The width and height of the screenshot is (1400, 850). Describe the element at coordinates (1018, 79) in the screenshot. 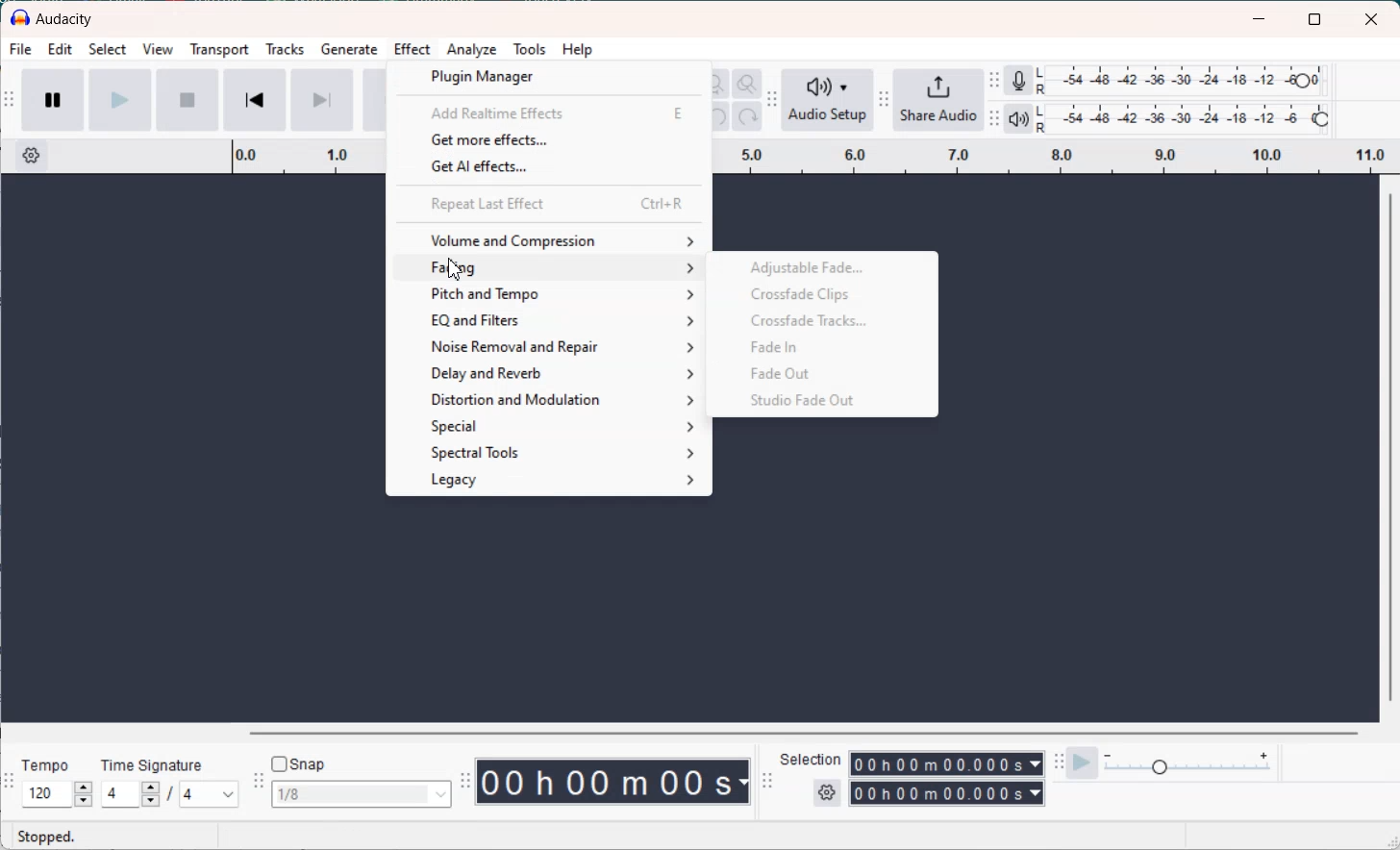

I see `Record meter` at that location.